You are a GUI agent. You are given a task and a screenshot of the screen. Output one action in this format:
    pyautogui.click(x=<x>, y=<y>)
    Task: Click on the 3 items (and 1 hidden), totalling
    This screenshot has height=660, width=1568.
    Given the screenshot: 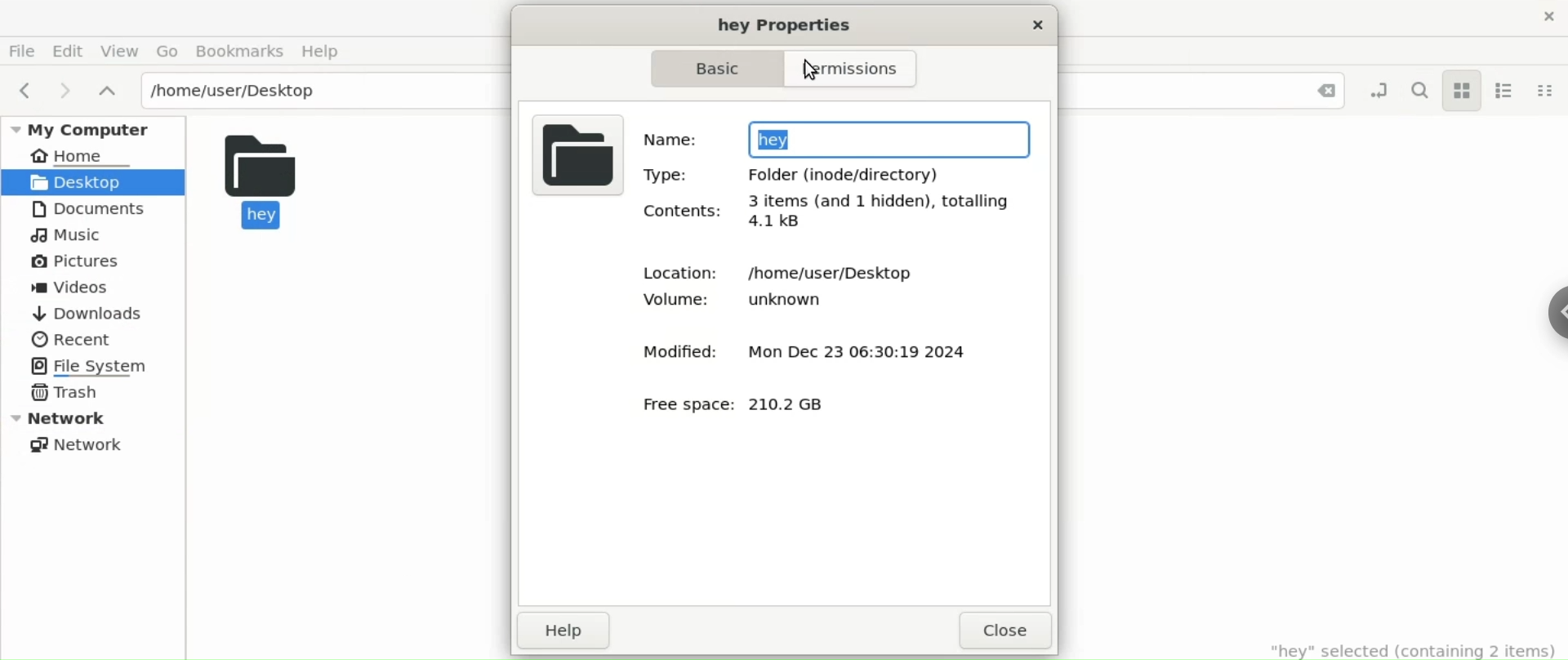 What is the action you would take?
    pyautogui.click(x=885, y=198)
    